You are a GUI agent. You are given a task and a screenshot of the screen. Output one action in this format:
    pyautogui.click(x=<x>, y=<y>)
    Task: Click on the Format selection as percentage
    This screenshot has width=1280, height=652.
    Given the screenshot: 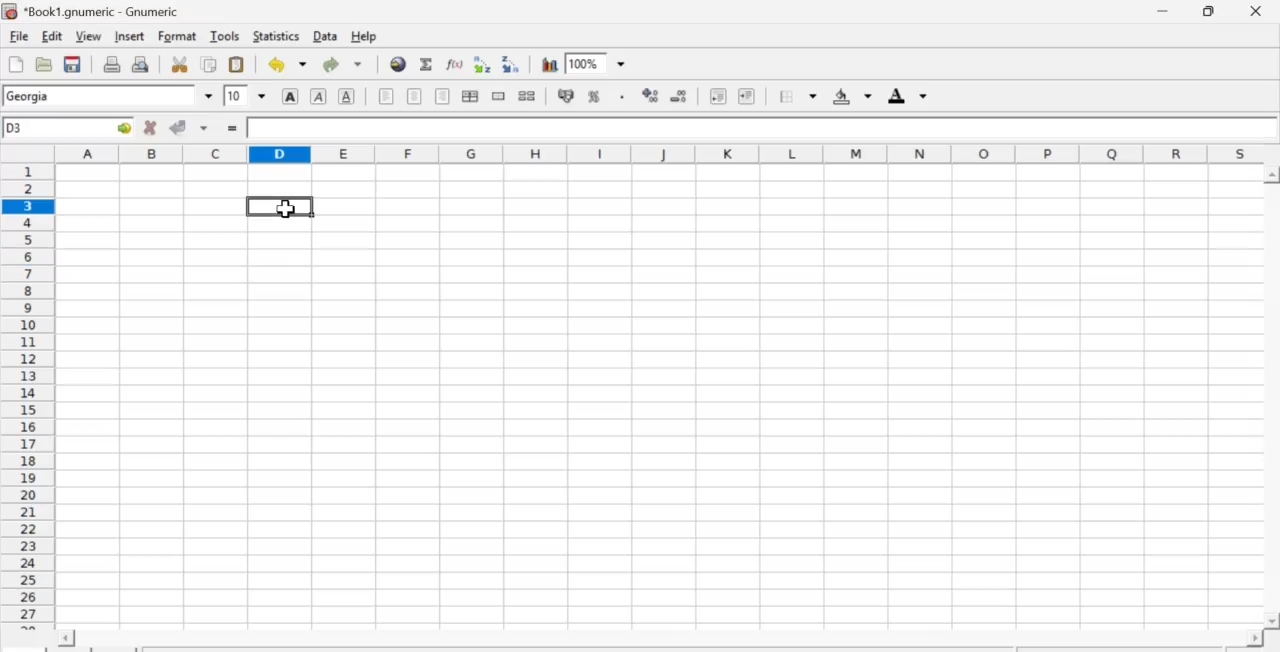 What is the action you would take?
    pyautogui.click(x=594, y=95)
    